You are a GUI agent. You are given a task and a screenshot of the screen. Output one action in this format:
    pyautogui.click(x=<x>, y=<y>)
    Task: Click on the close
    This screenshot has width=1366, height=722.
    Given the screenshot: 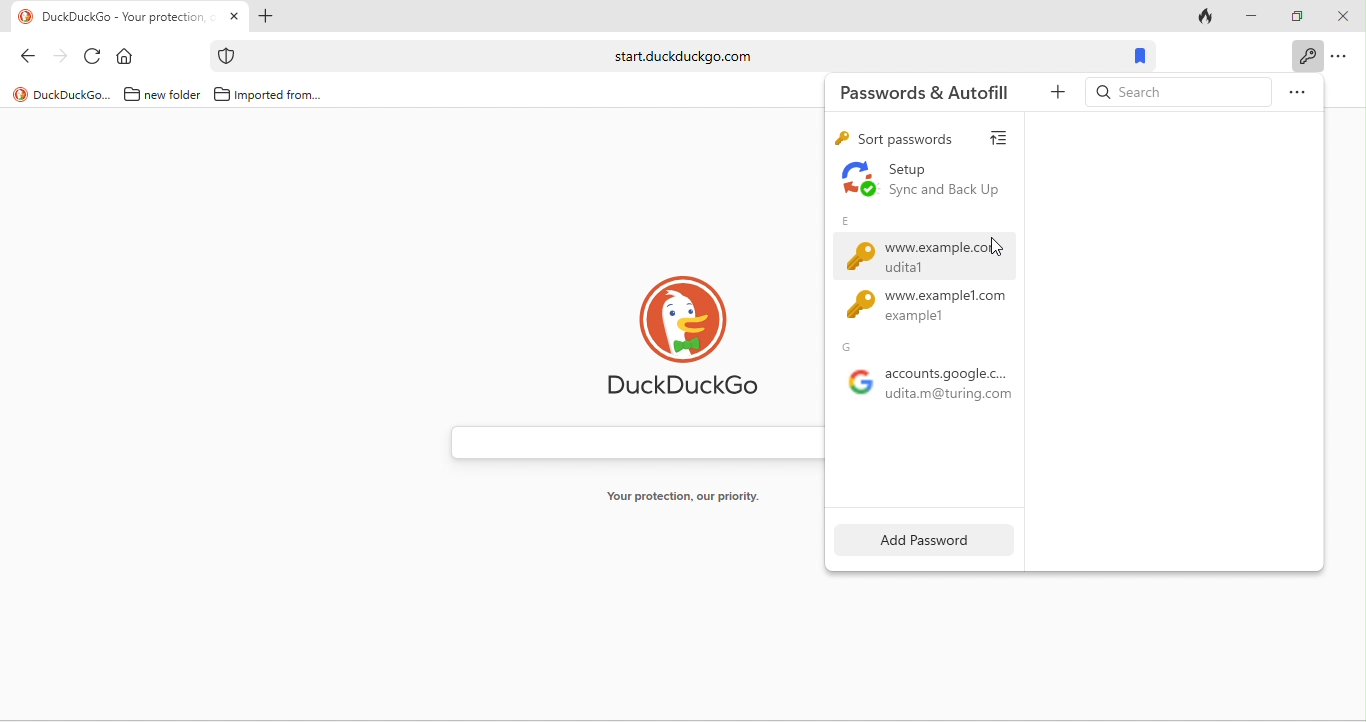 What is the action you would take?
    pyautogui.click(x=1343, y=18)
    